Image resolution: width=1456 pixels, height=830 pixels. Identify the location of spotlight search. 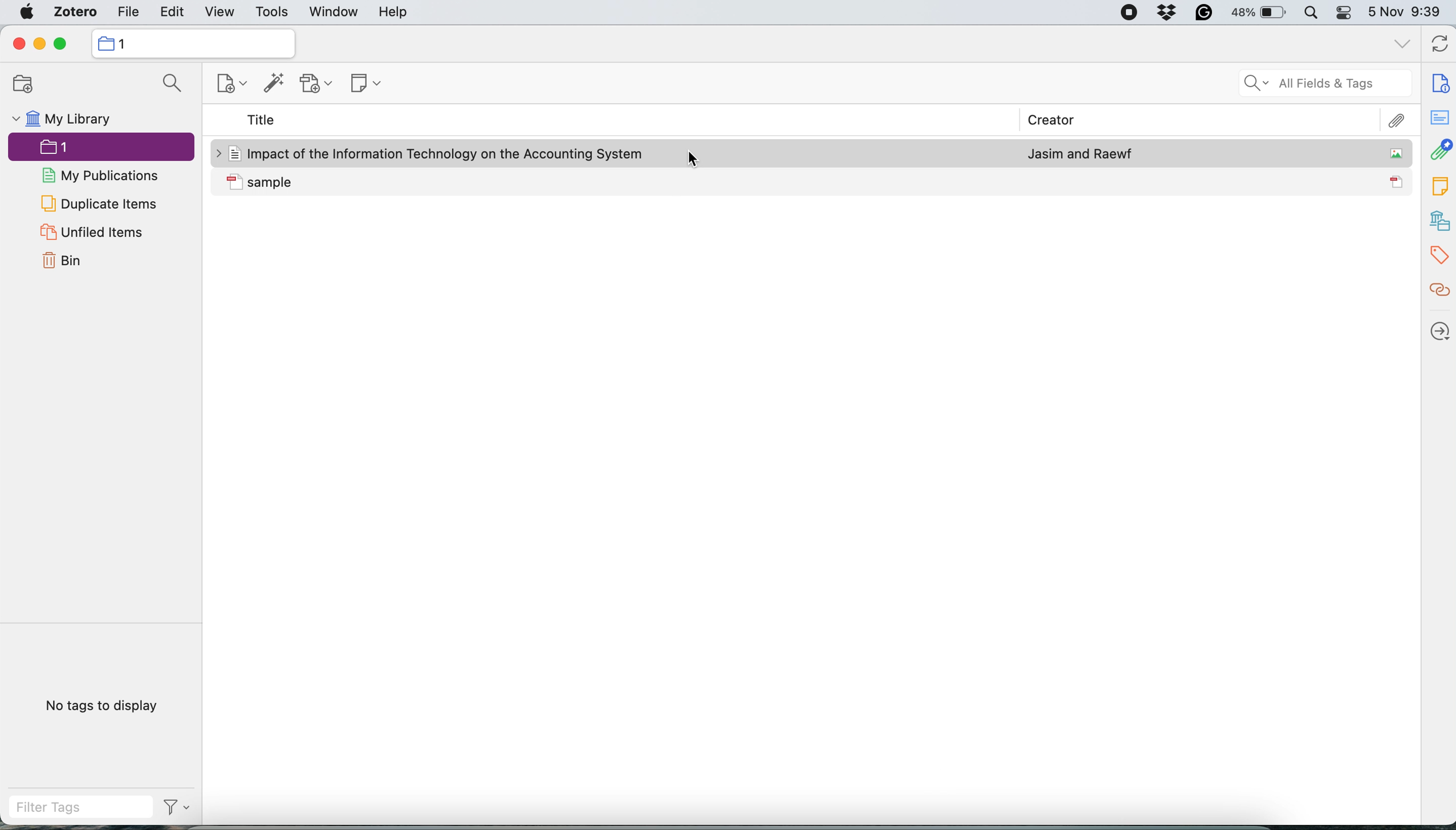
(1315, 13).